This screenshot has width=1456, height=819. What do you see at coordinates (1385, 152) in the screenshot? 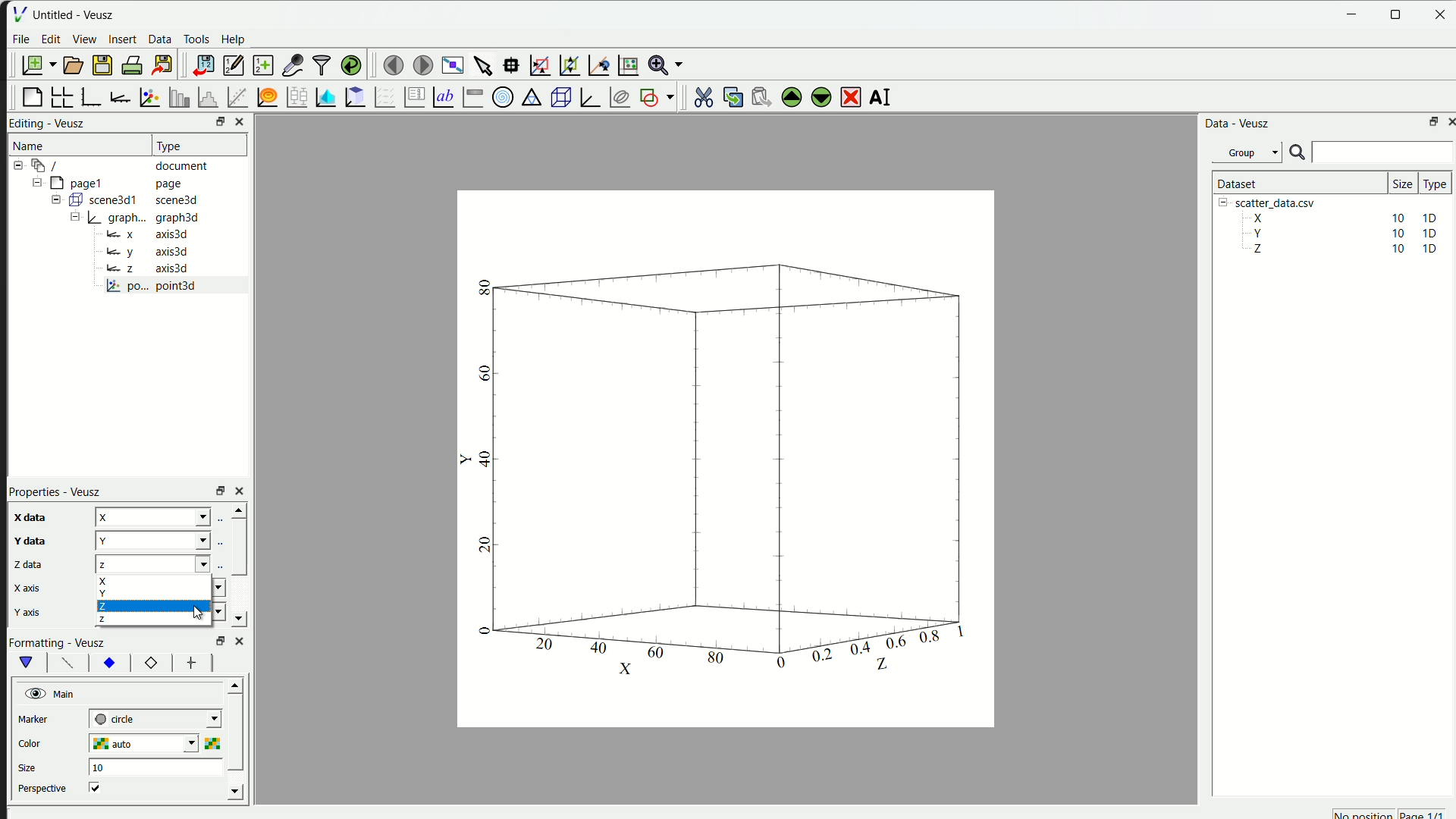
I see `search bar` at bounding box center [1385, 152].